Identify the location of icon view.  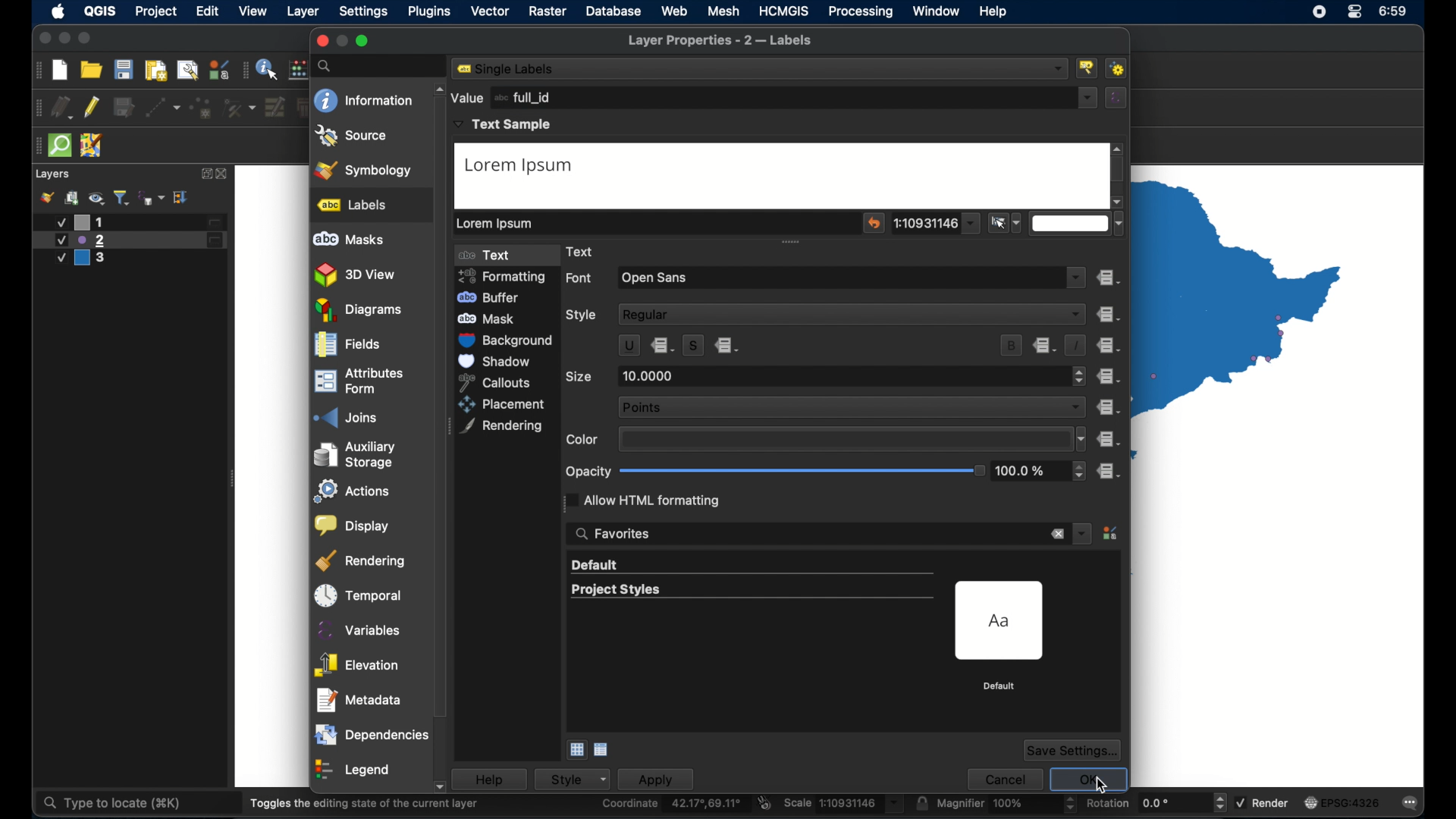
(576, 750).